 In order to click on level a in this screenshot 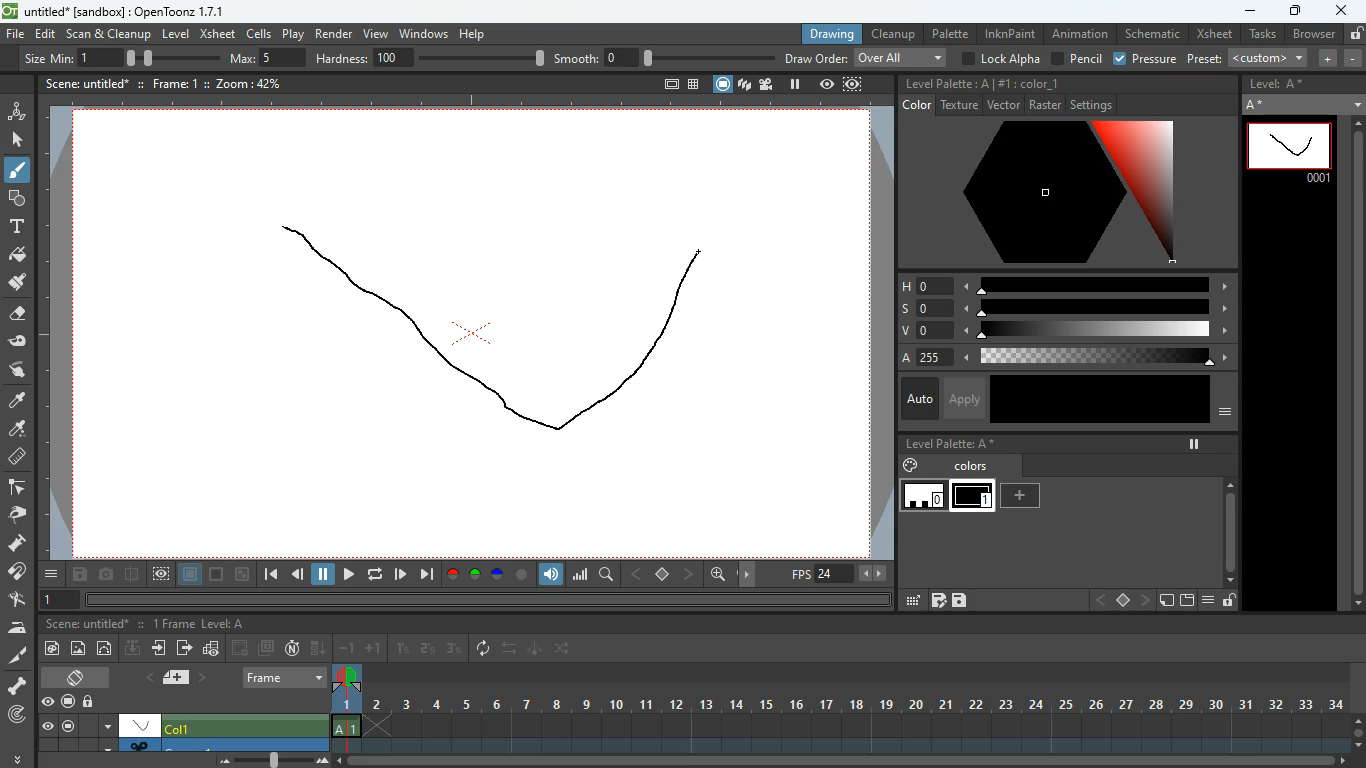, I will do `click(1281, 84)`.